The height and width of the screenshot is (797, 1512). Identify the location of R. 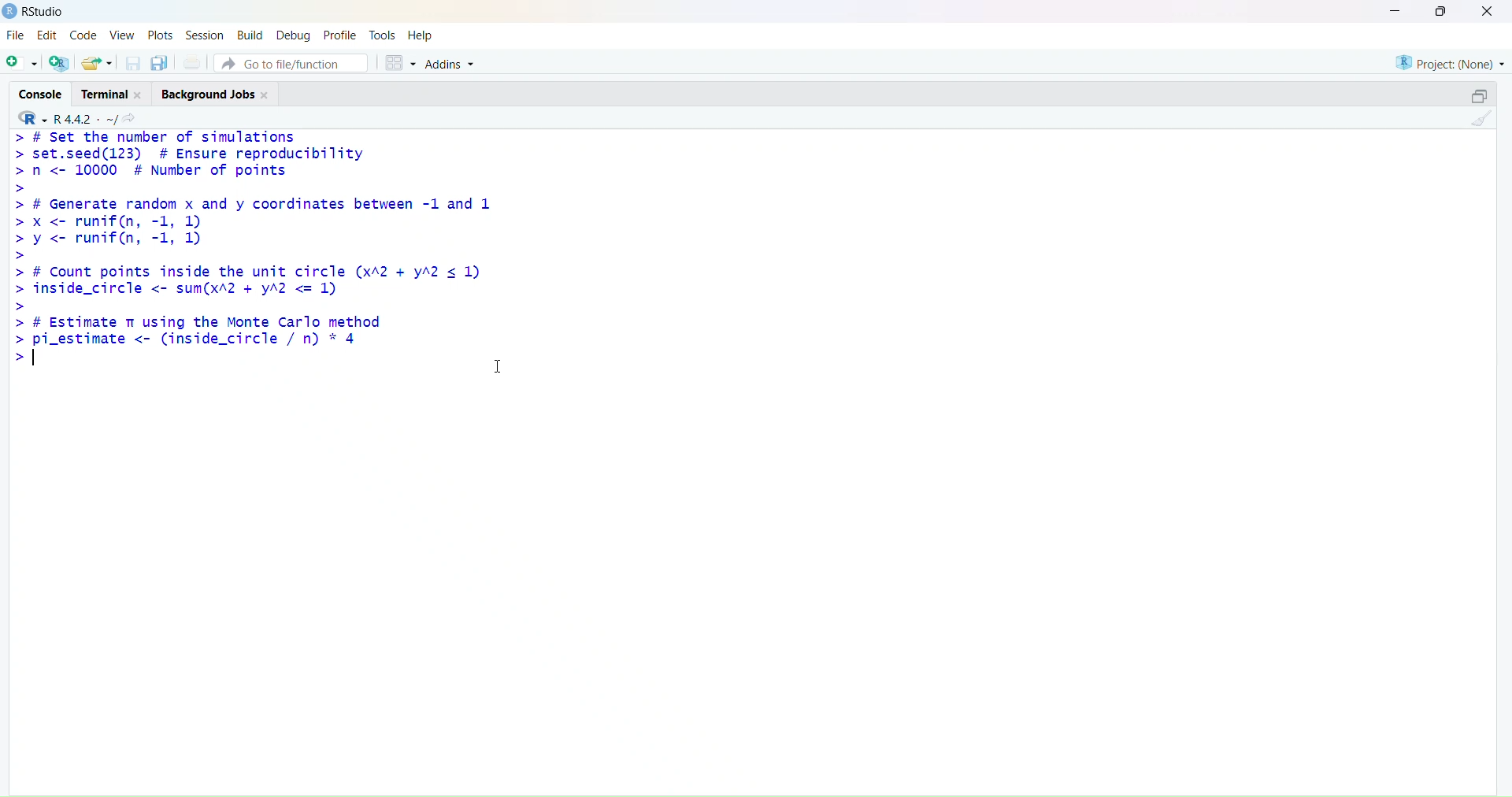
(32, 117).